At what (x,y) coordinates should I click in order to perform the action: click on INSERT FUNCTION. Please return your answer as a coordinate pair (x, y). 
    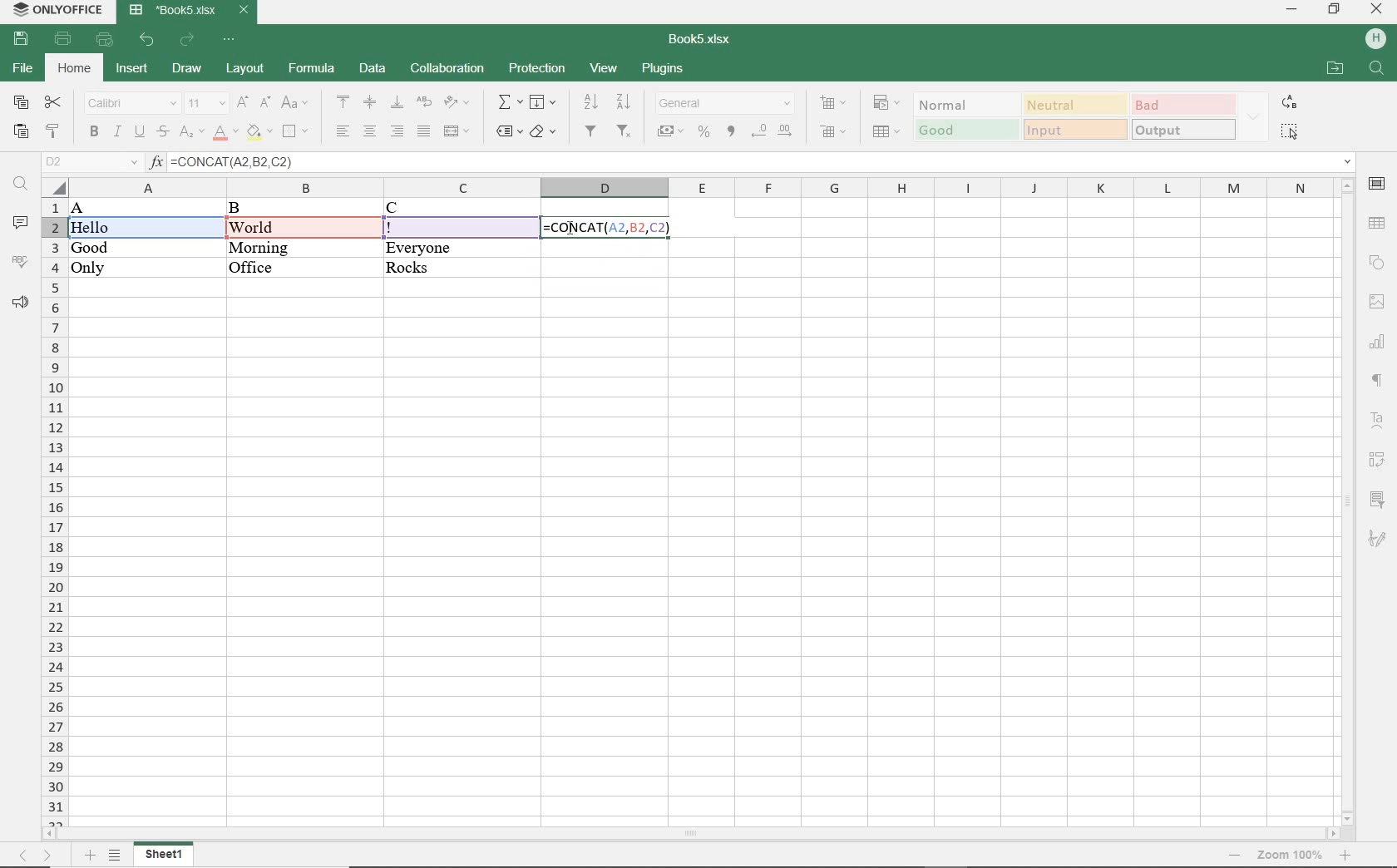
    Looking at the image, I should click on (508, 104).